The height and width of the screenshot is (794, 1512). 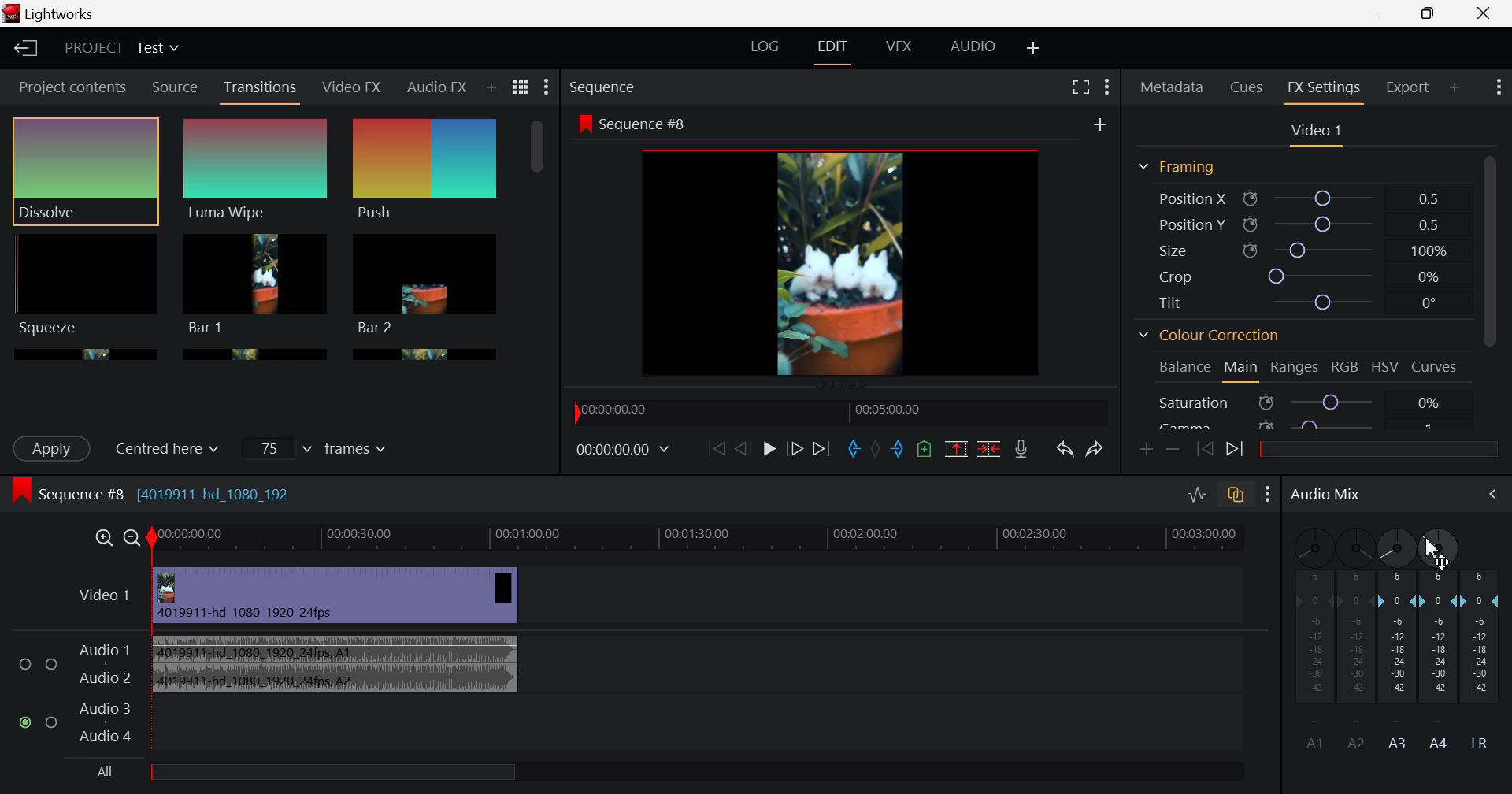 What do you see at coordinates (770, 448) in the screenshot?
I see `Play` at bounding box center [770, 448].